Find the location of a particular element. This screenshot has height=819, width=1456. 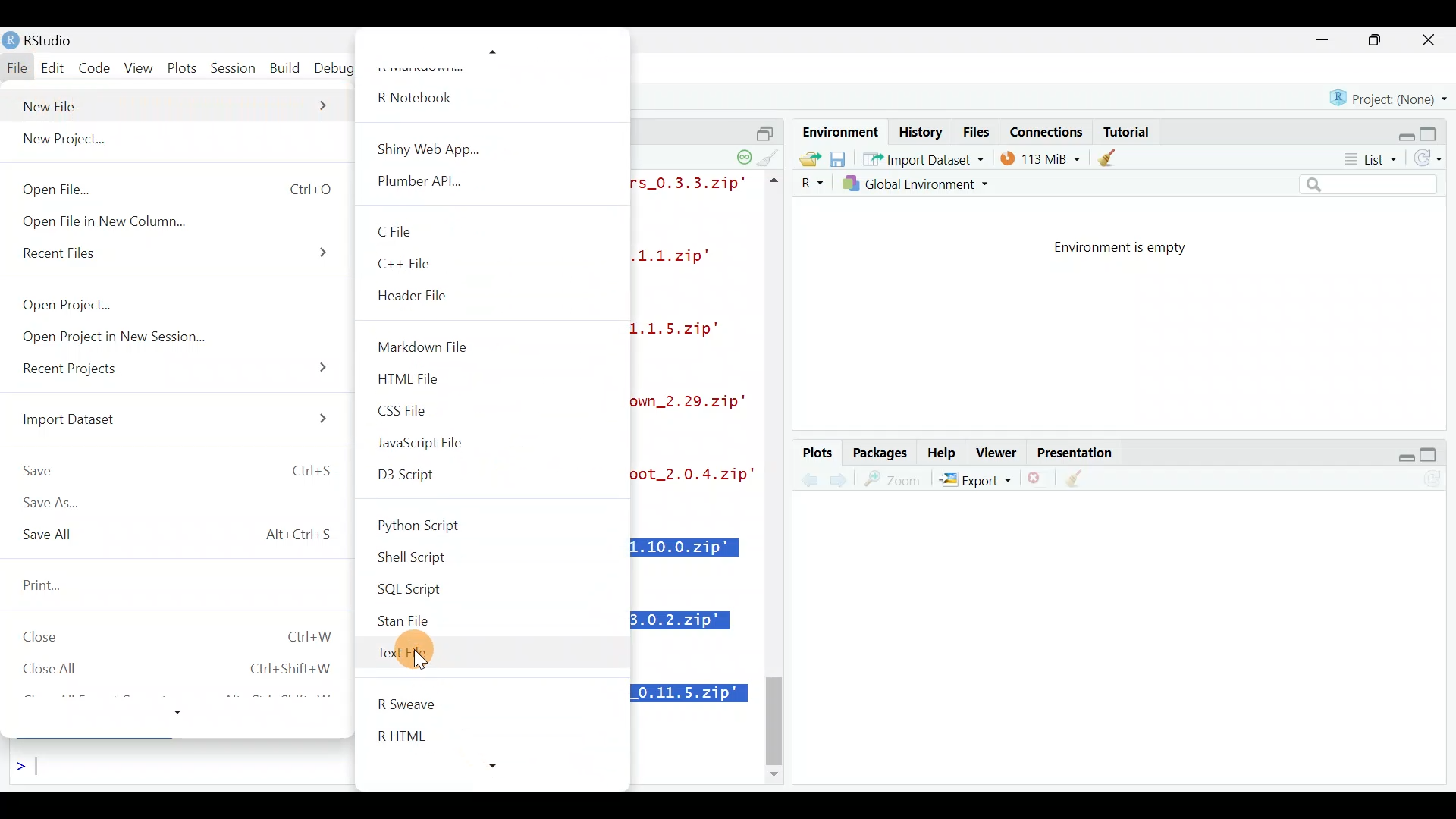

Open Project... is located at coordinates (80, 304).